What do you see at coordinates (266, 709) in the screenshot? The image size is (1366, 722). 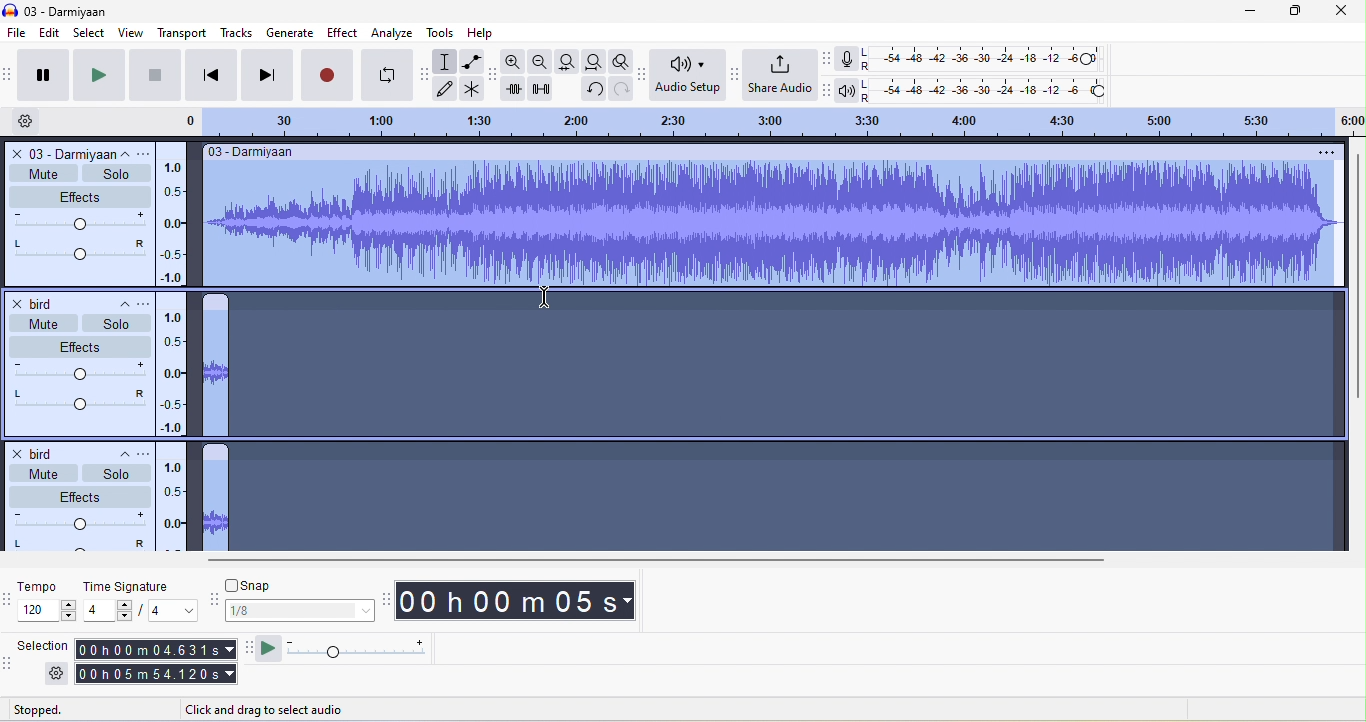 I see `click and drag to select audio` at bounding box center [266, 709].